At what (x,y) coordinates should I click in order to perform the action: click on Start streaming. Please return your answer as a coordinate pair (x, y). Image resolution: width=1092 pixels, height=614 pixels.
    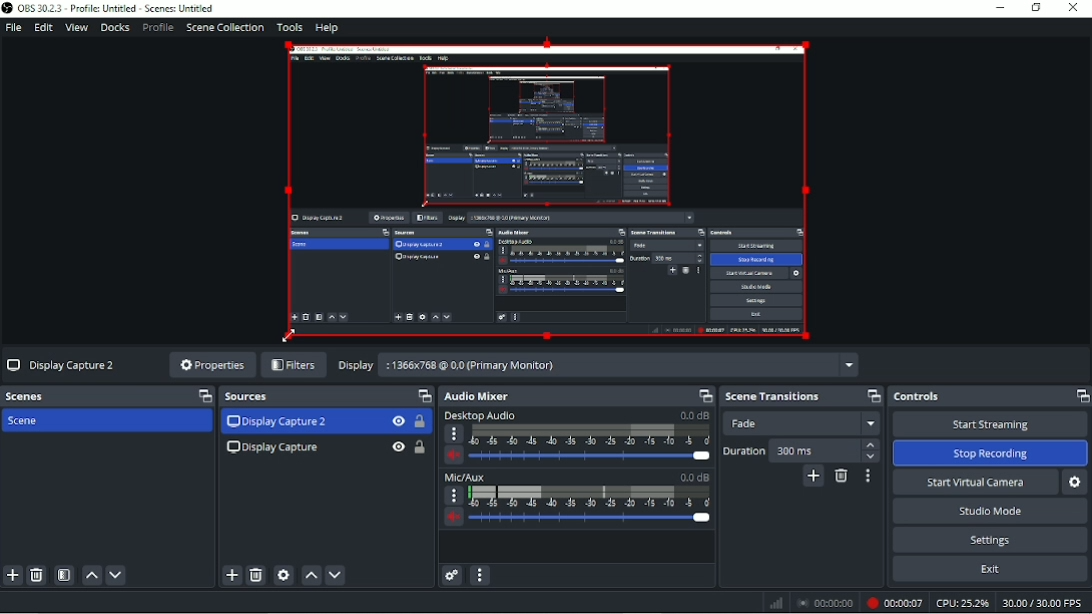
    Looking at the image, I should click on (988, 424).